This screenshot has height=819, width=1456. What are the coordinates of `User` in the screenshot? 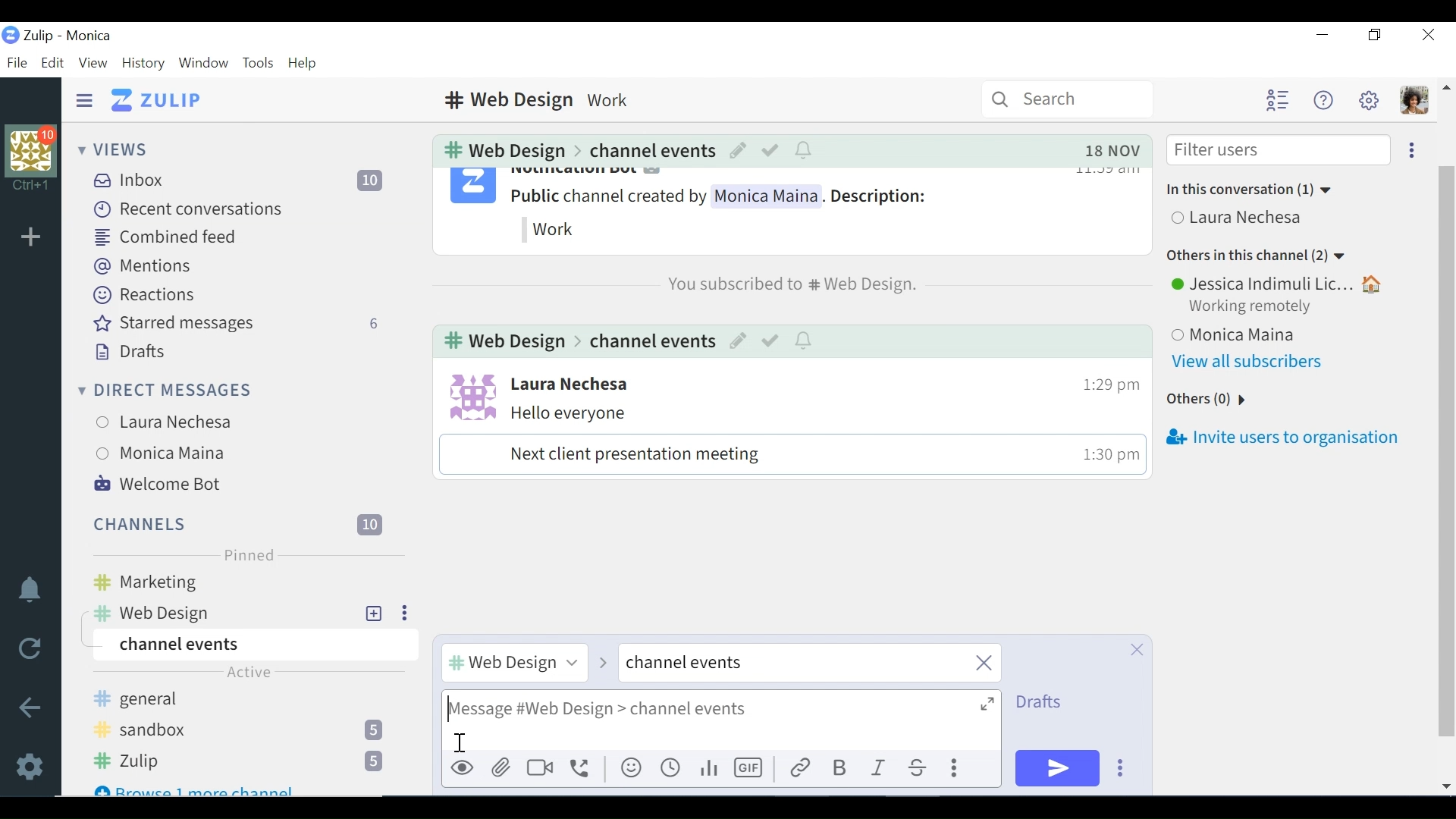 It's located at (1279, 283).